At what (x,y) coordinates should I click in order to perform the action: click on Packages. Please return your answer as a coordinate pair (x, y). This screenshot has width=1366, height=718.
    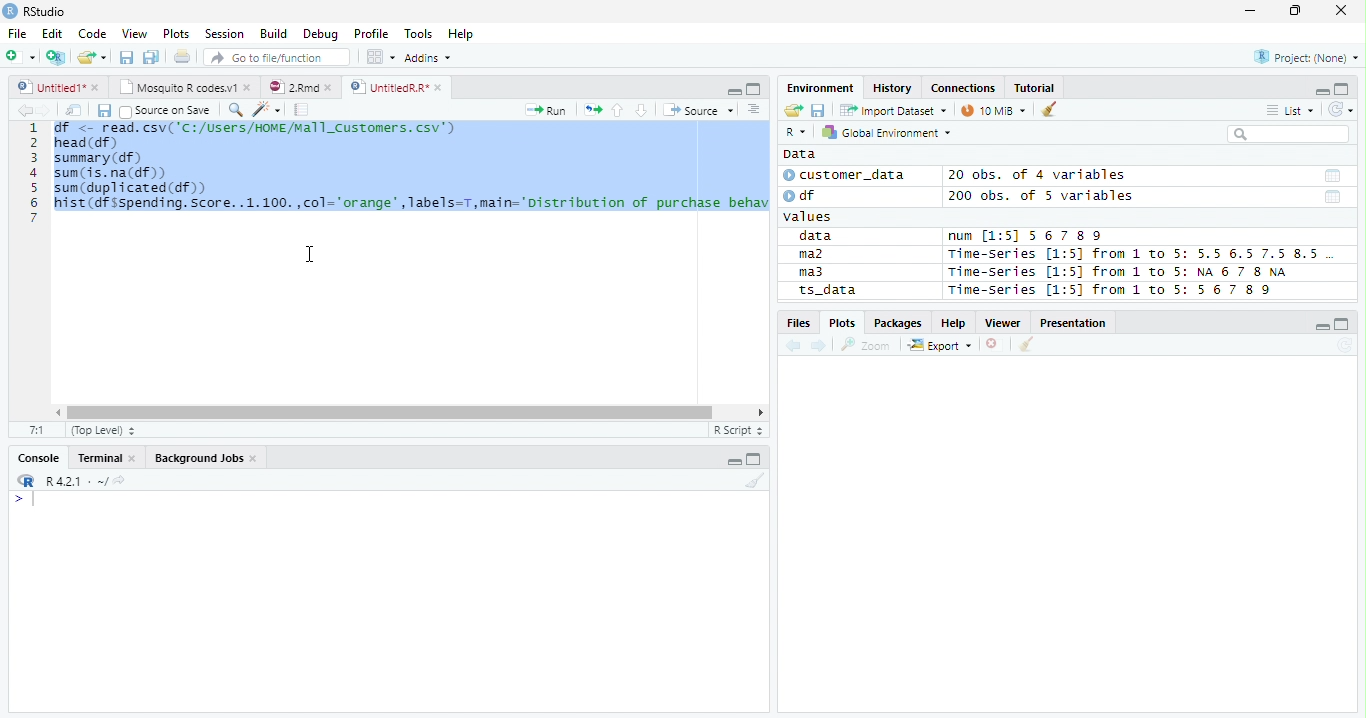
    Looking at the image, I should click on (897, 324).